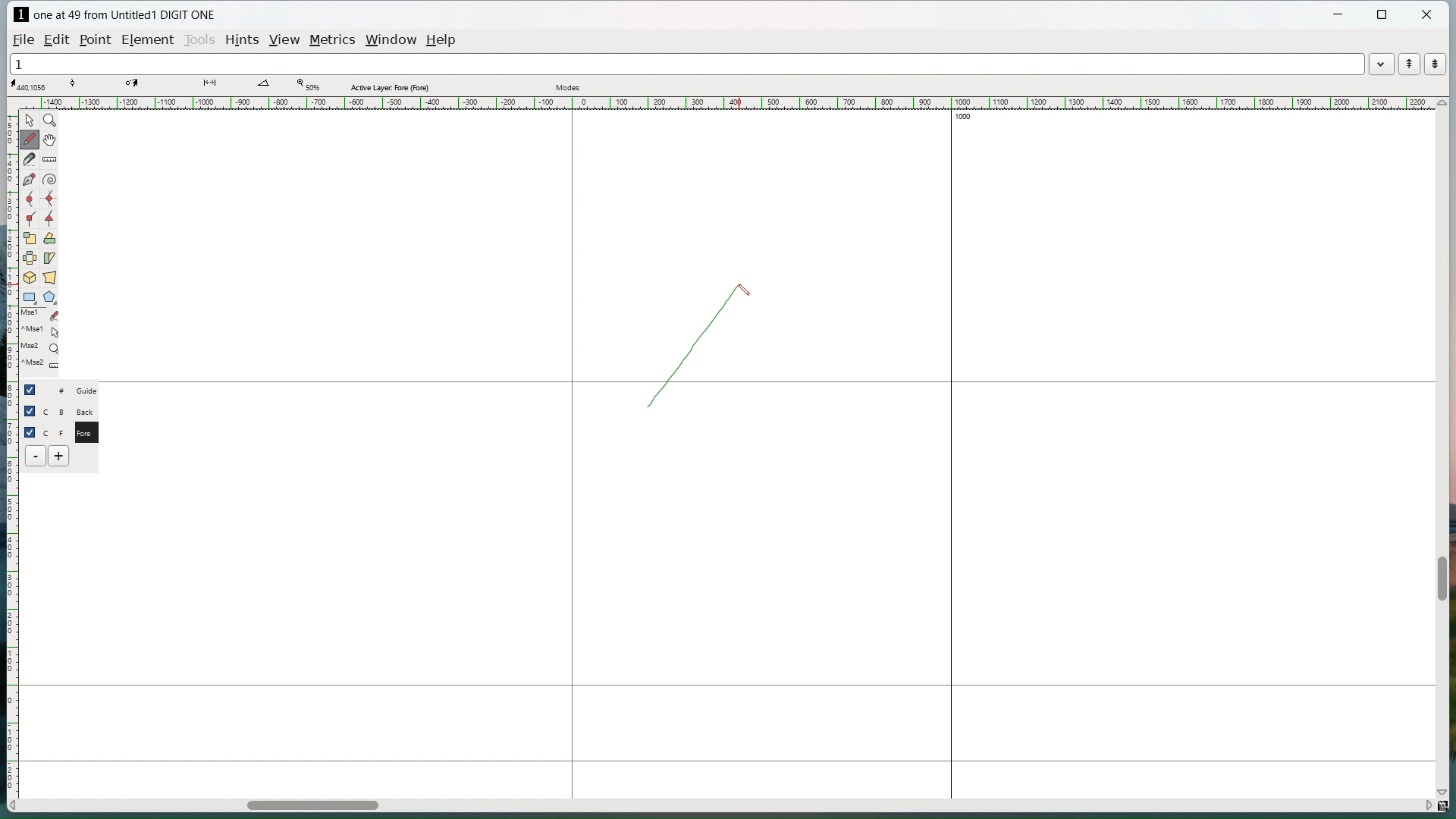  What do you see at coordinates (334, 41) in the screenshot?
I see `metrics` at bounding box center [334, 41].